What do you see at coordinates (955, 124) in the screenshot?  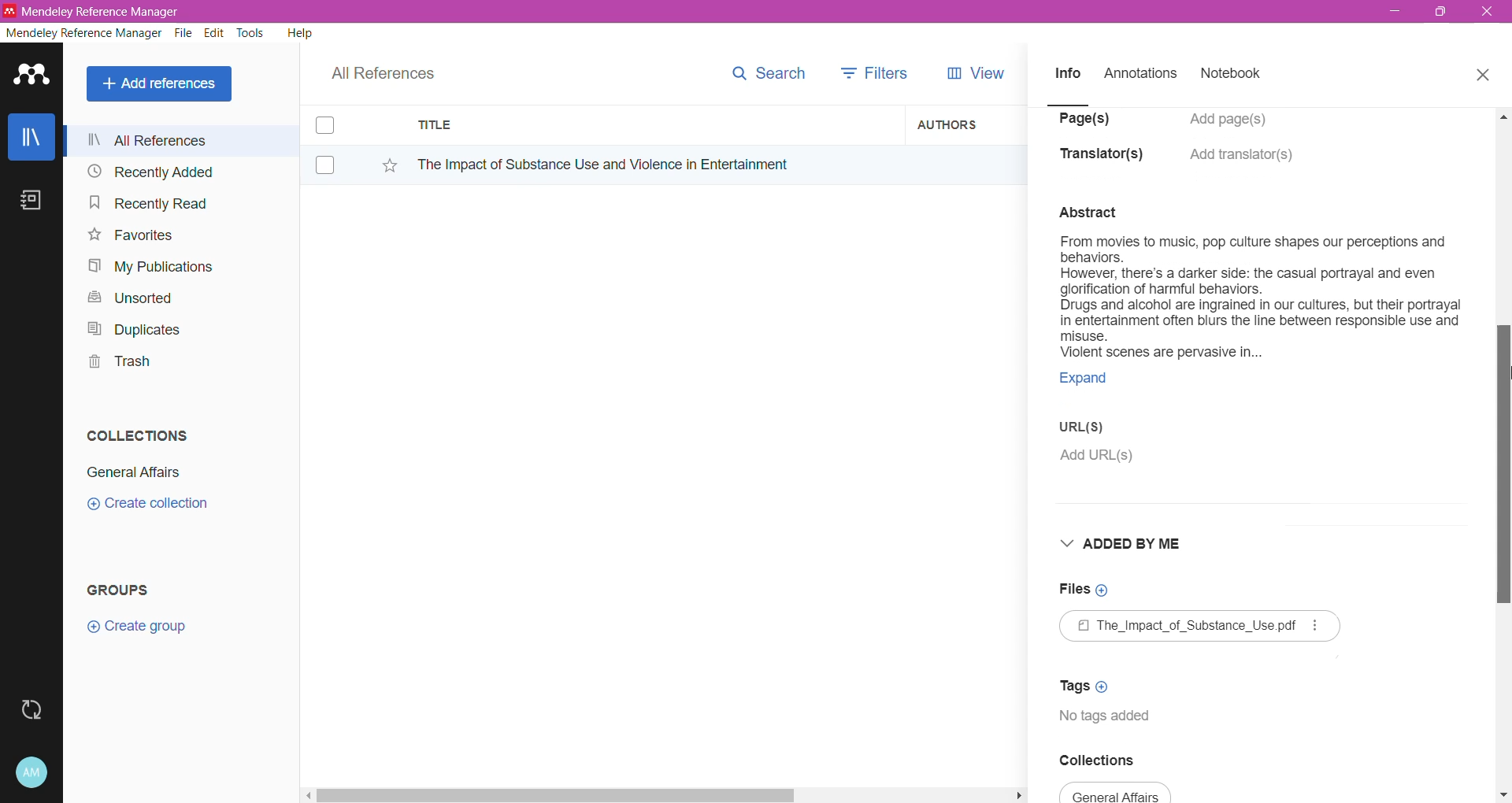 I see `Authors` at bounding box center [955, 124].